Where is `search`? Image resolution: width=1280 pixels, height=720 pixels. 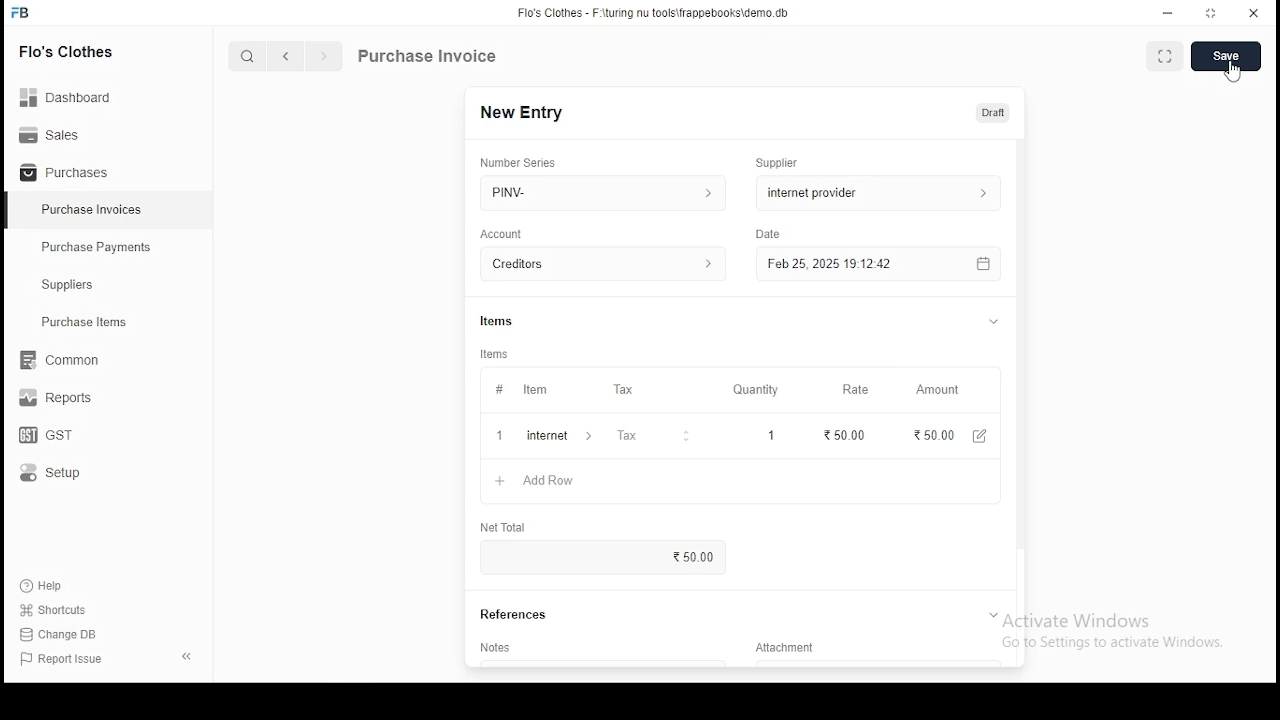 search is located at coordinates (250, 58).